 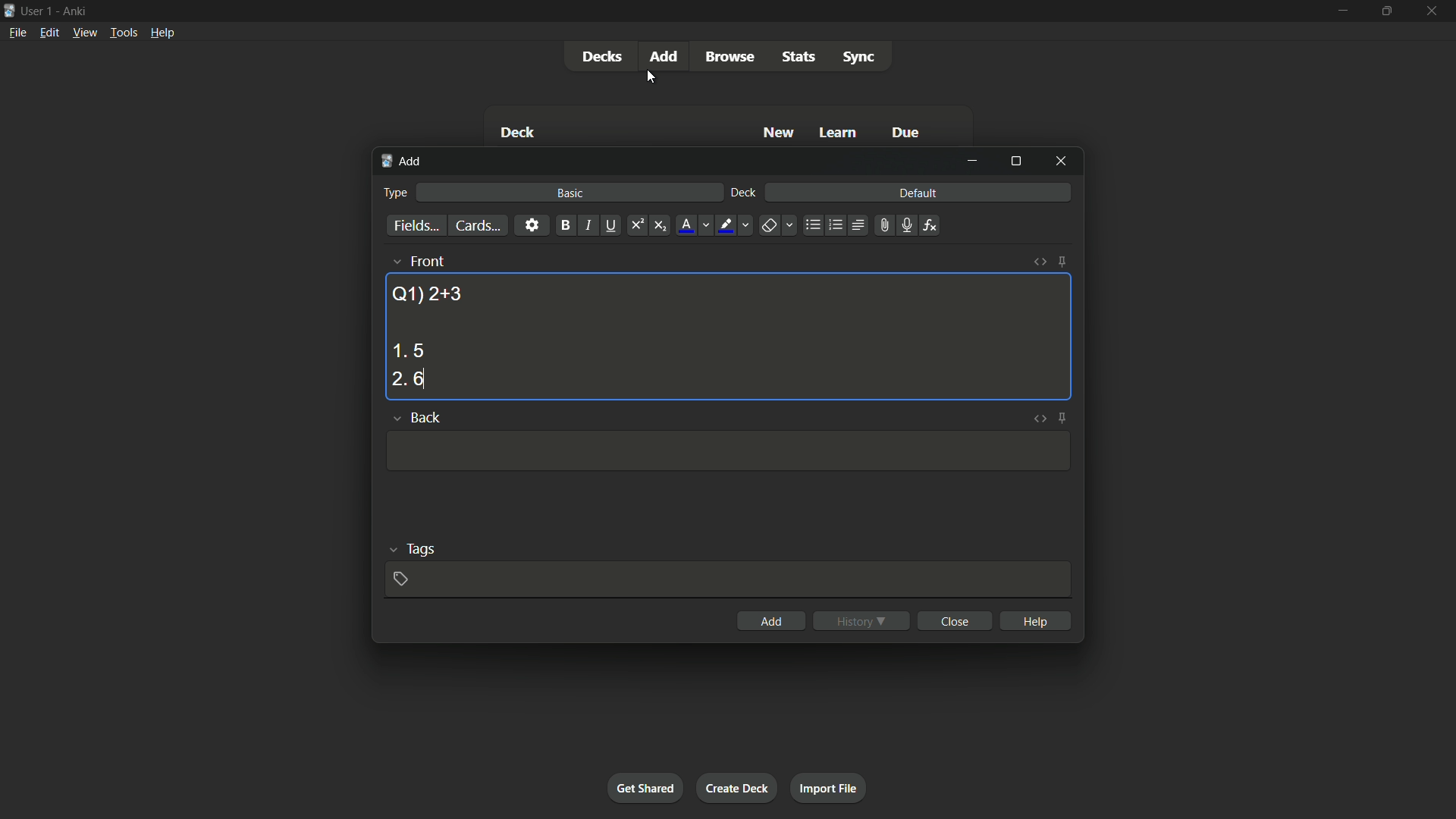 I want to click on maximize, so click(x=1385, y=11).